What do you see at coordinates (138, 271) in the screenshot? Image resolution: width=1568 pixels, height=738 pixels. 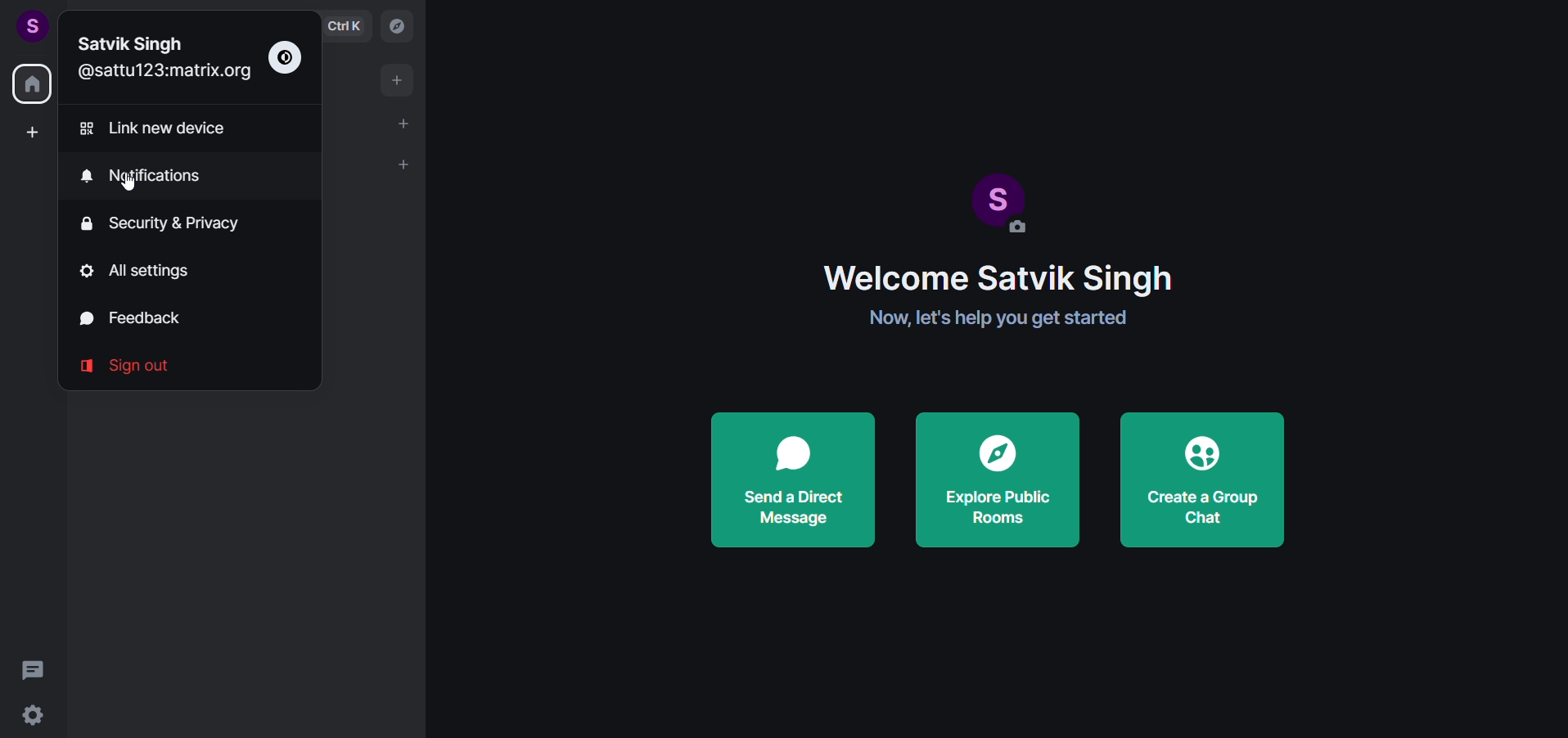 I see `all setting` at bounding box center [138, 271].